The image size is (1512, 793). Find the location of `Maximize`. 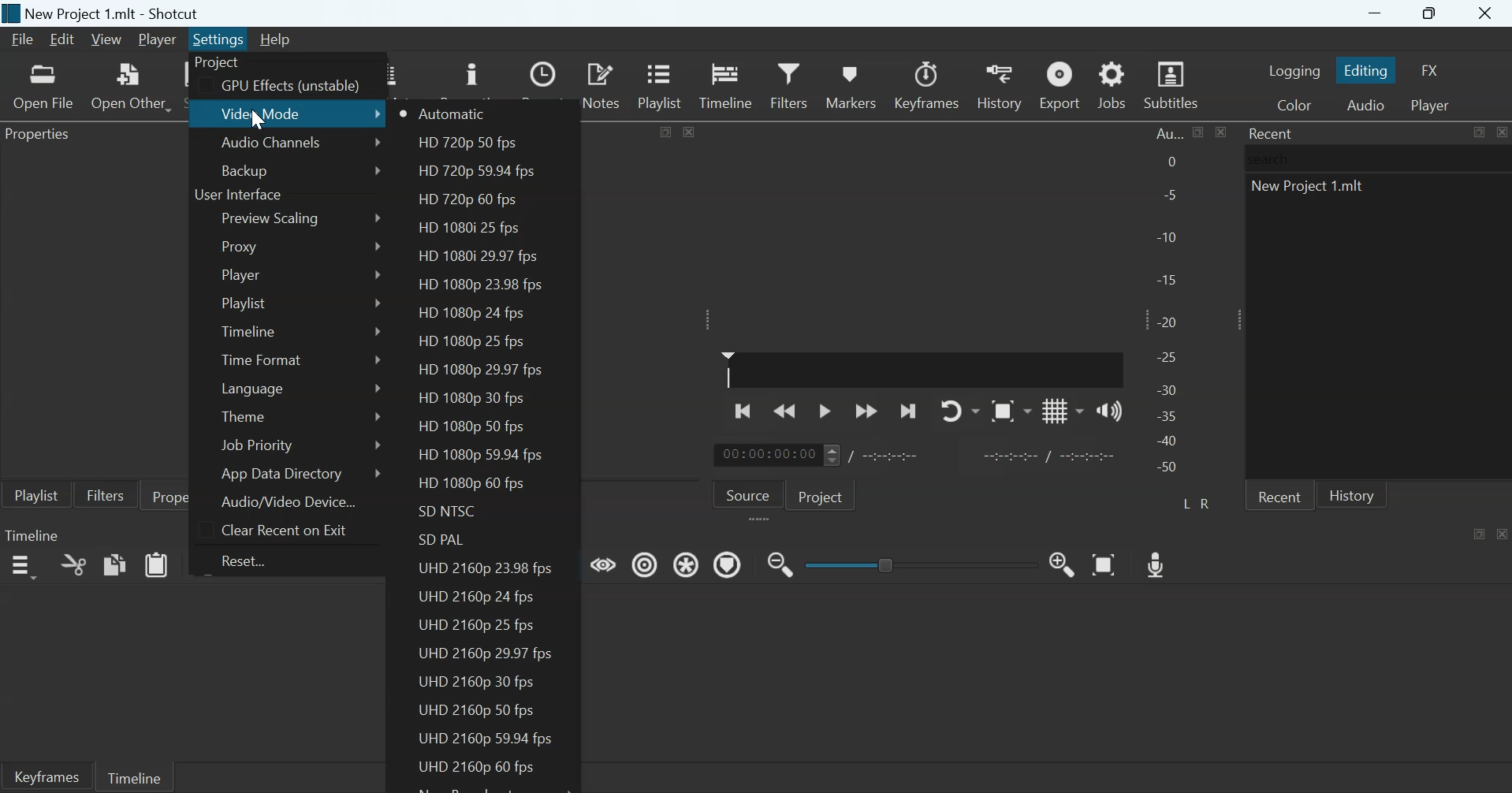

Maximize is located at coordinates (667, 130).